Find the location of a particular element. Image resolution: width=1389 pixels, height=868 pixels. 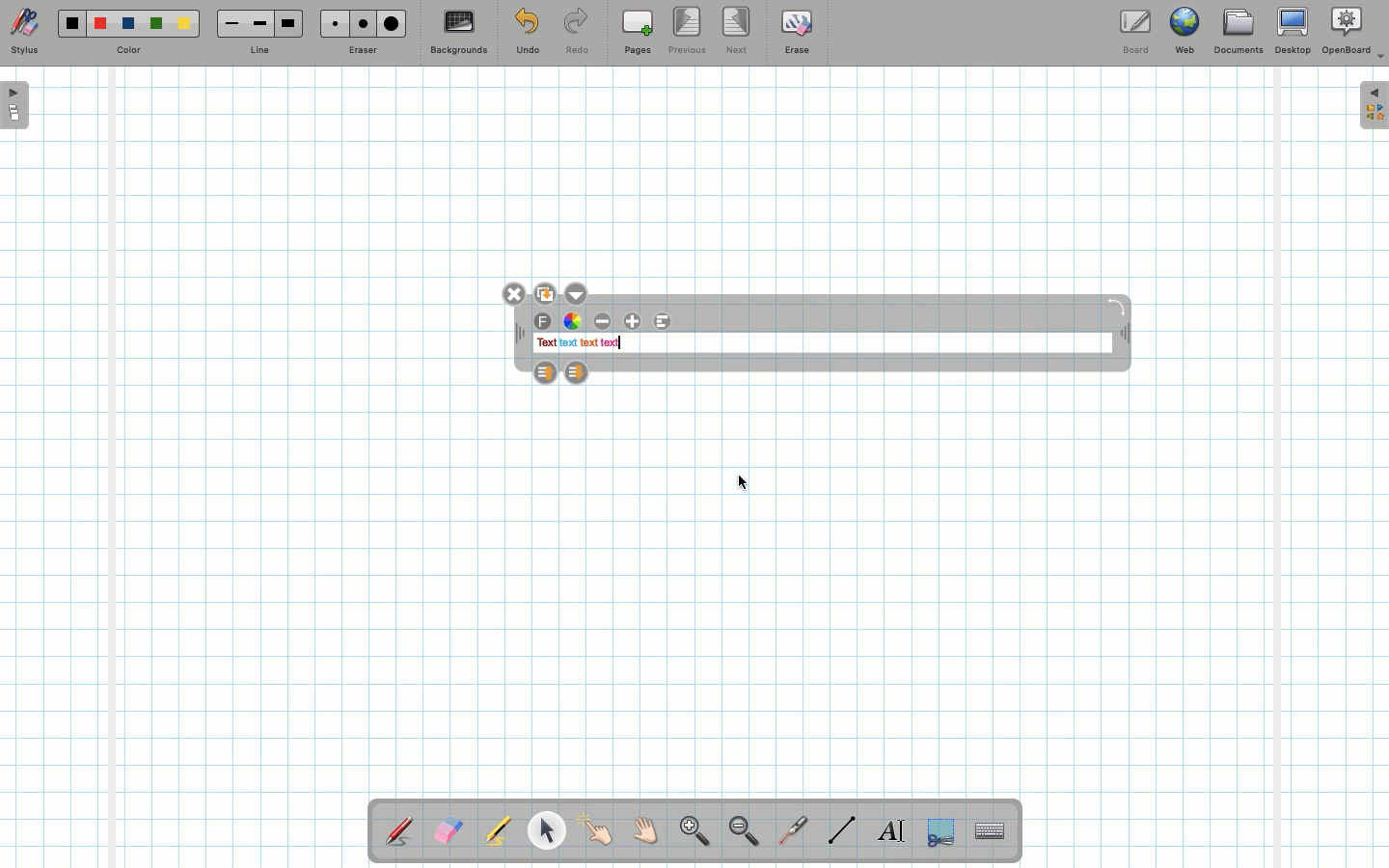

Alignment is located at coordinates (666, 322).